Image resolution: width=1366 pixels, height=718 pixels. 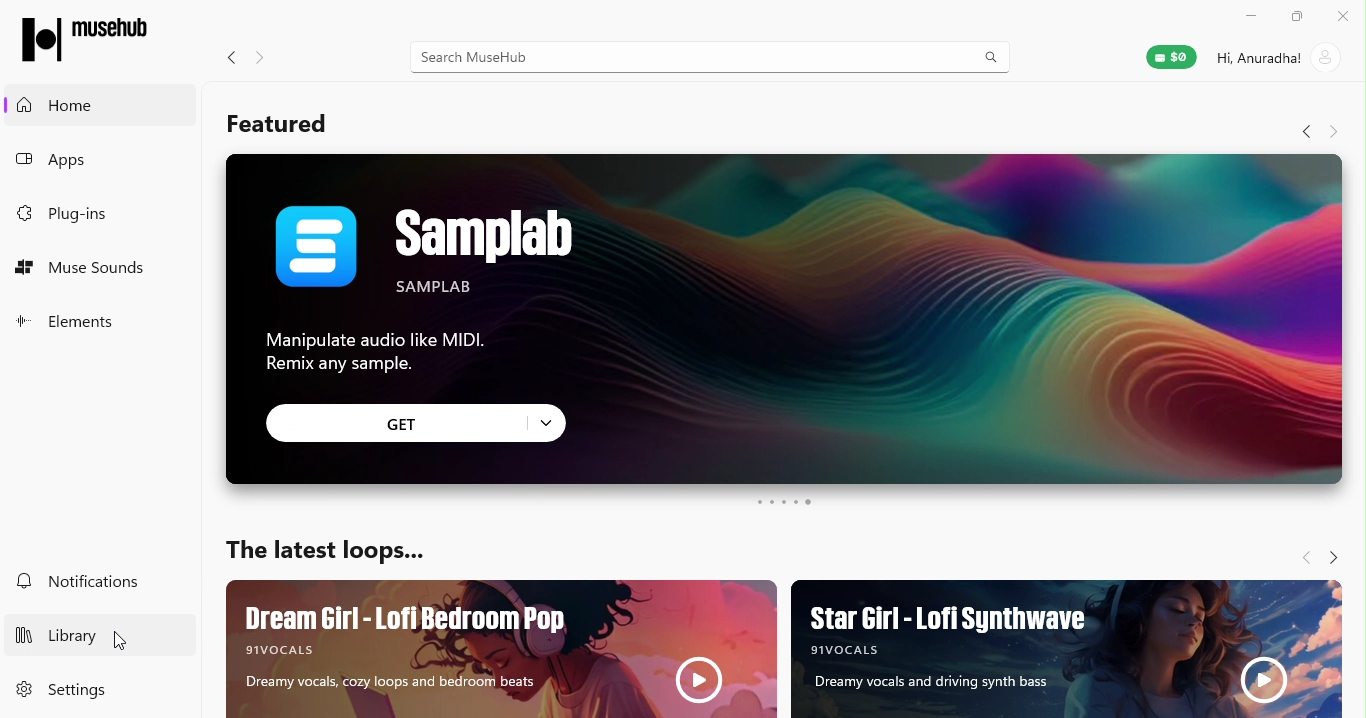 What do you see at coordinates (1296, 17) in the screenshot?
I see `Maximize` at bounding box center [1296, 17].